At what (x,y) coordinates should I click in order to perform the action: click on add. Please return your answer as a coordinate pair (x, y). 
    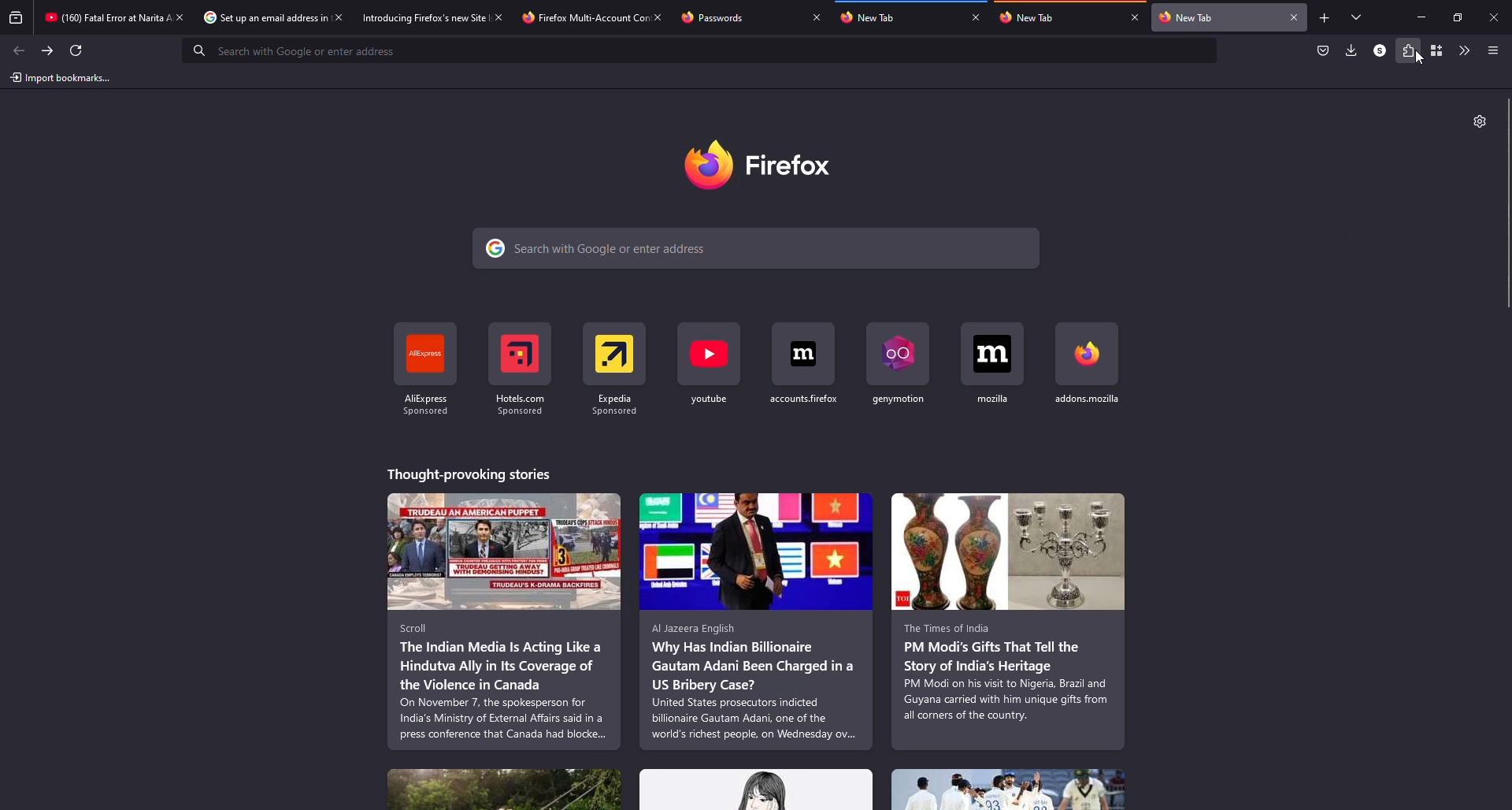
    Looking at the image, I should click on (1325, 18).